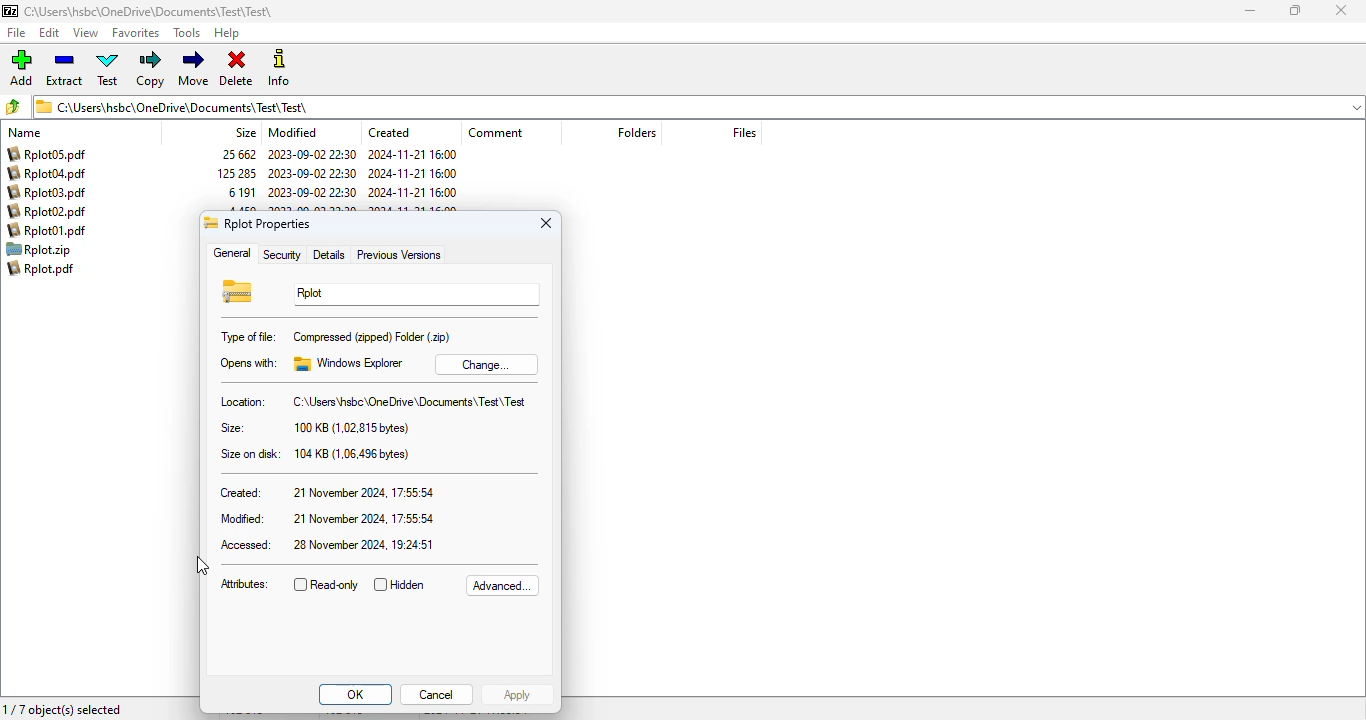 The height and width of the screenshot is (720, 1366). Describe the element at coordinates (151, 12) in the screenshot. I see `C:\Users\hsbc\OneDrive\Documents\Test\Test\` at that location.